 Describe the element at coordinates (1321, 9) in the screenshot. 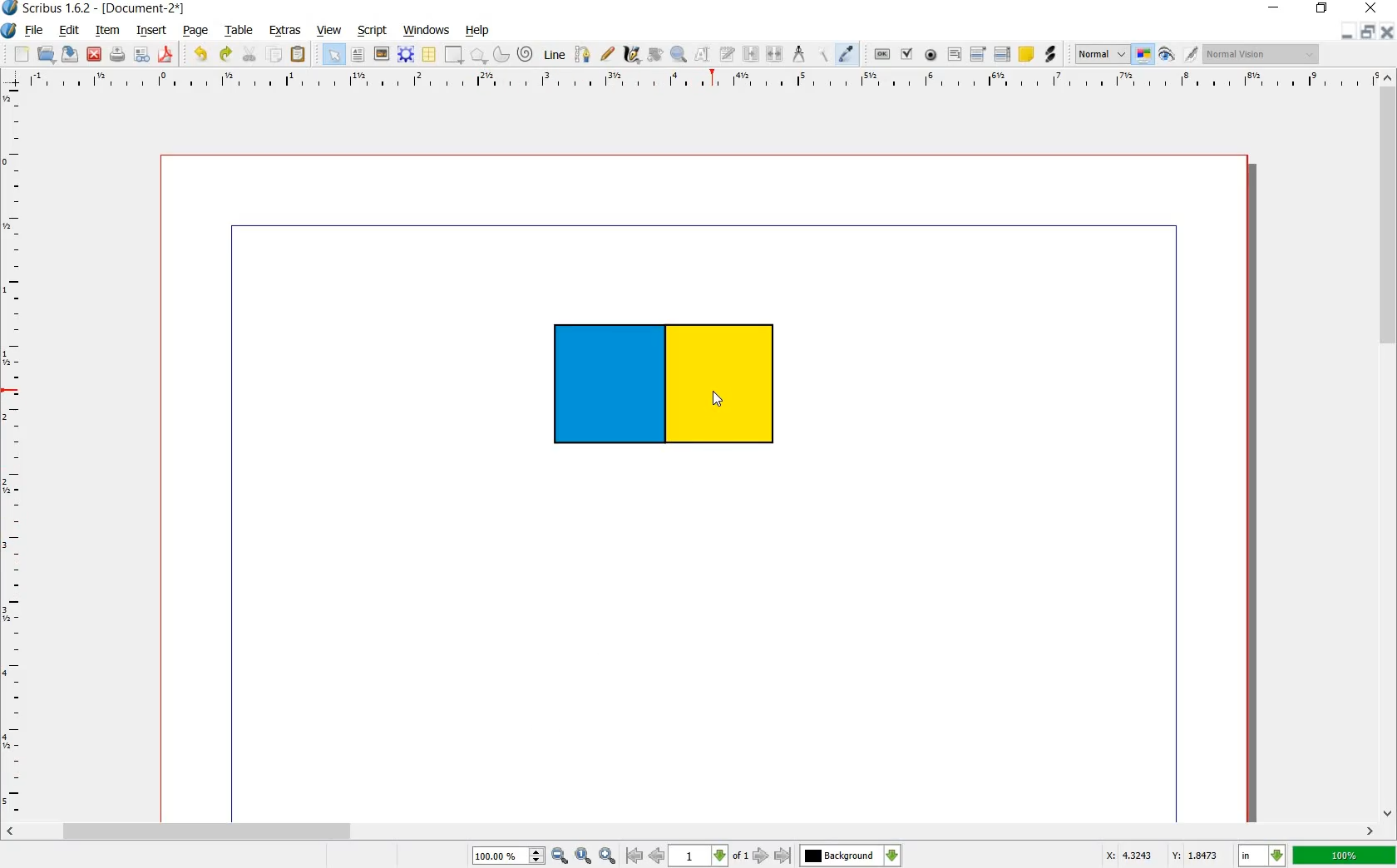

I see `restore` at that location.